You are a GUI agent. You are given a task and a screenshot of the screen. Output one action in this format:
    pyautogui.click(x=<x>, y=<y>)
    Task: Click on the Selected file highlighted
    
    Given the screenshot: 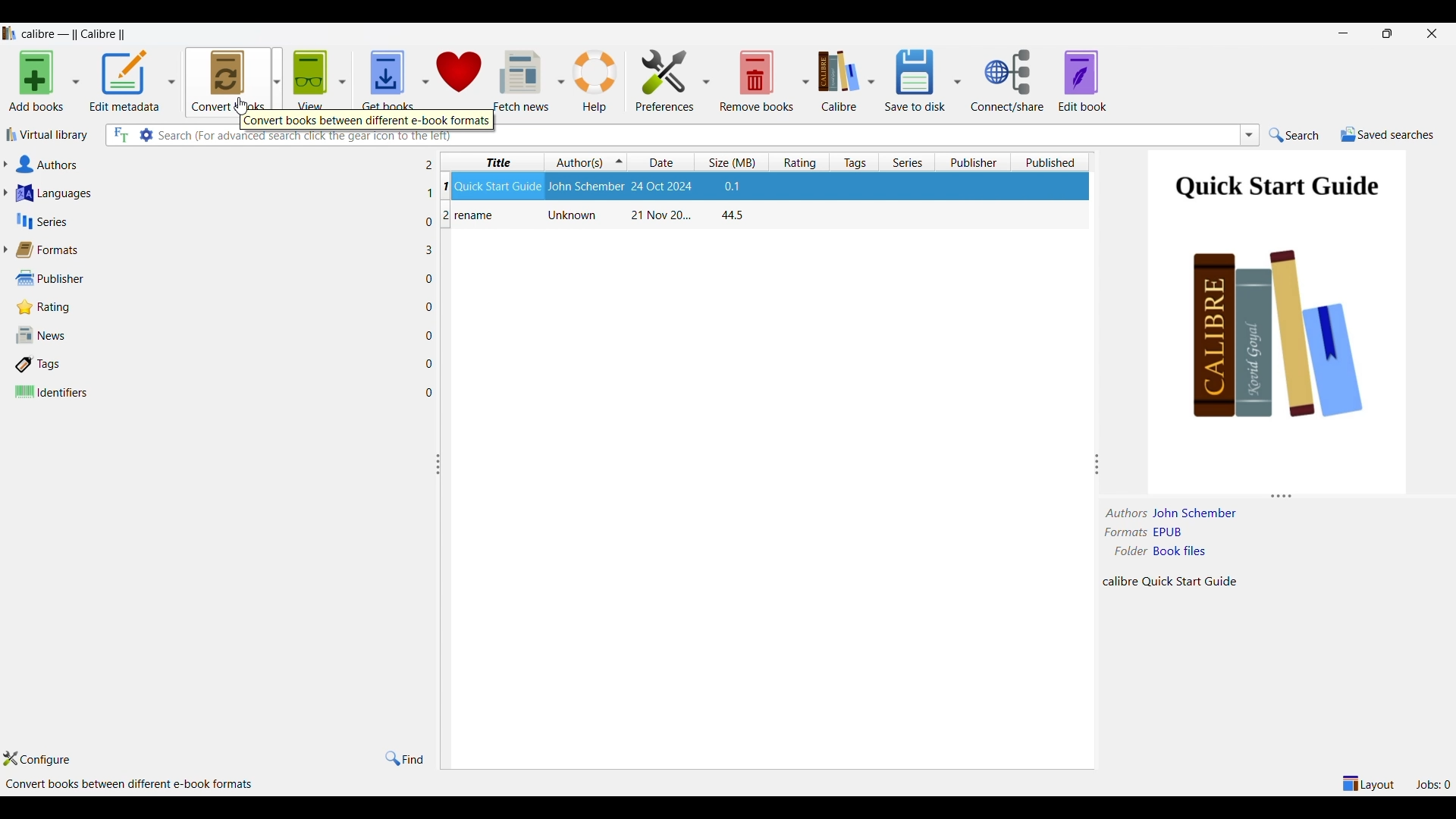 What is the action you would take?
    pyautogui.click(x=761, y=187)
    